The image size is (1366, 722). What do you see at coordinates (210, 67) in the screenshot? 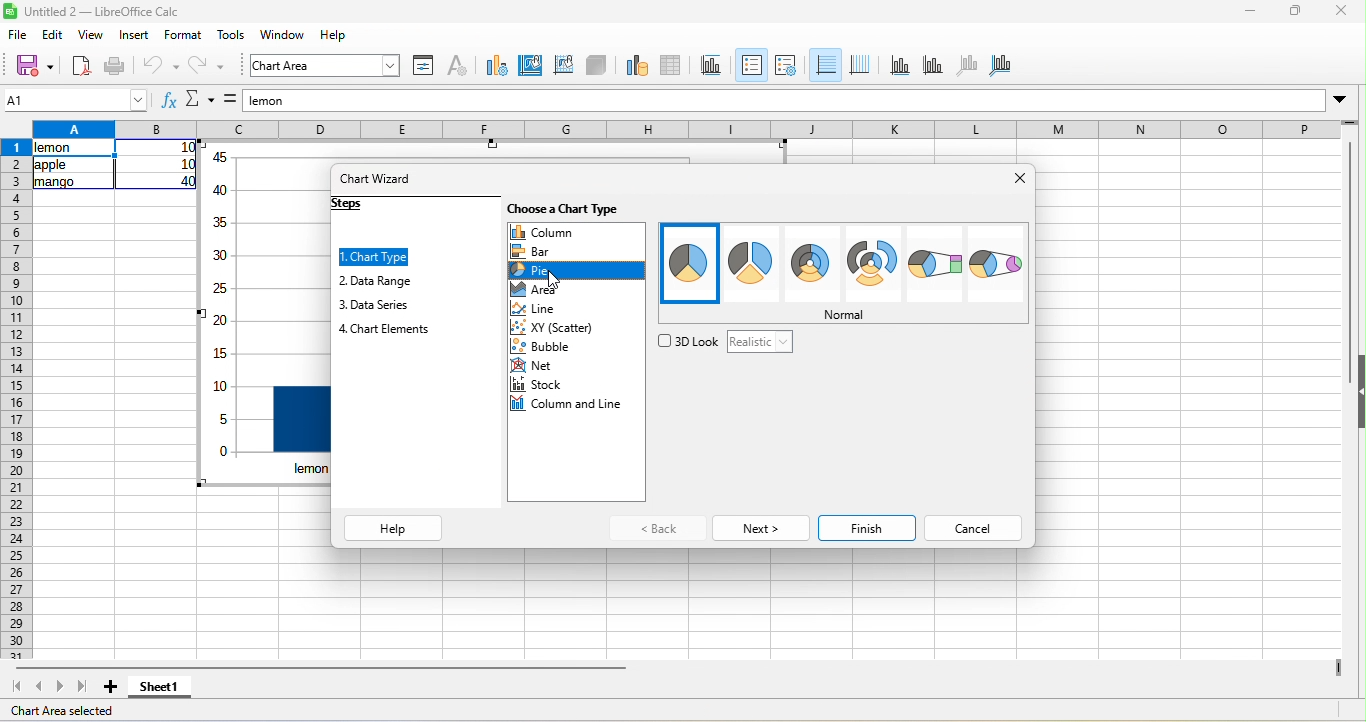
I see `redo` at bounding box center [210, 67].